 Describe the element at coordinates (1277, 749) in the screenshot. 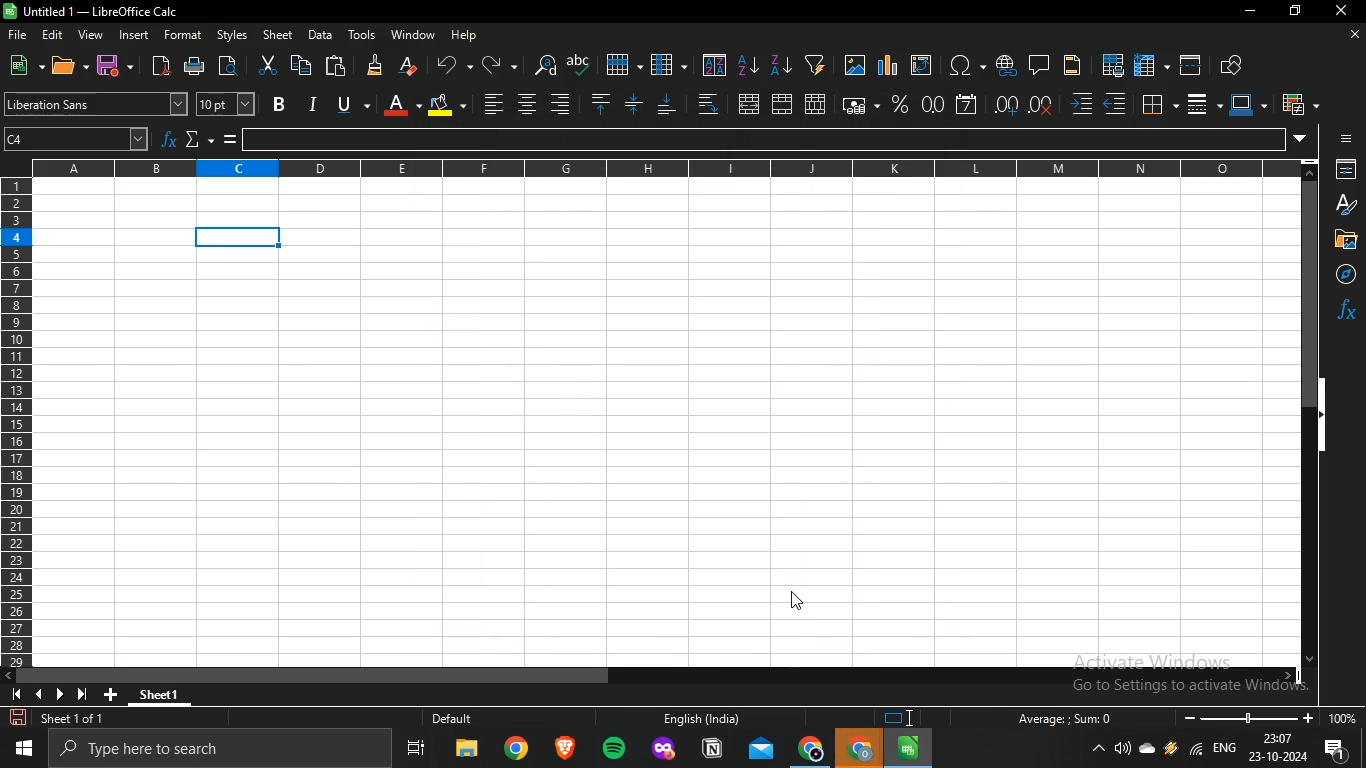

I see `date and time` at that location.